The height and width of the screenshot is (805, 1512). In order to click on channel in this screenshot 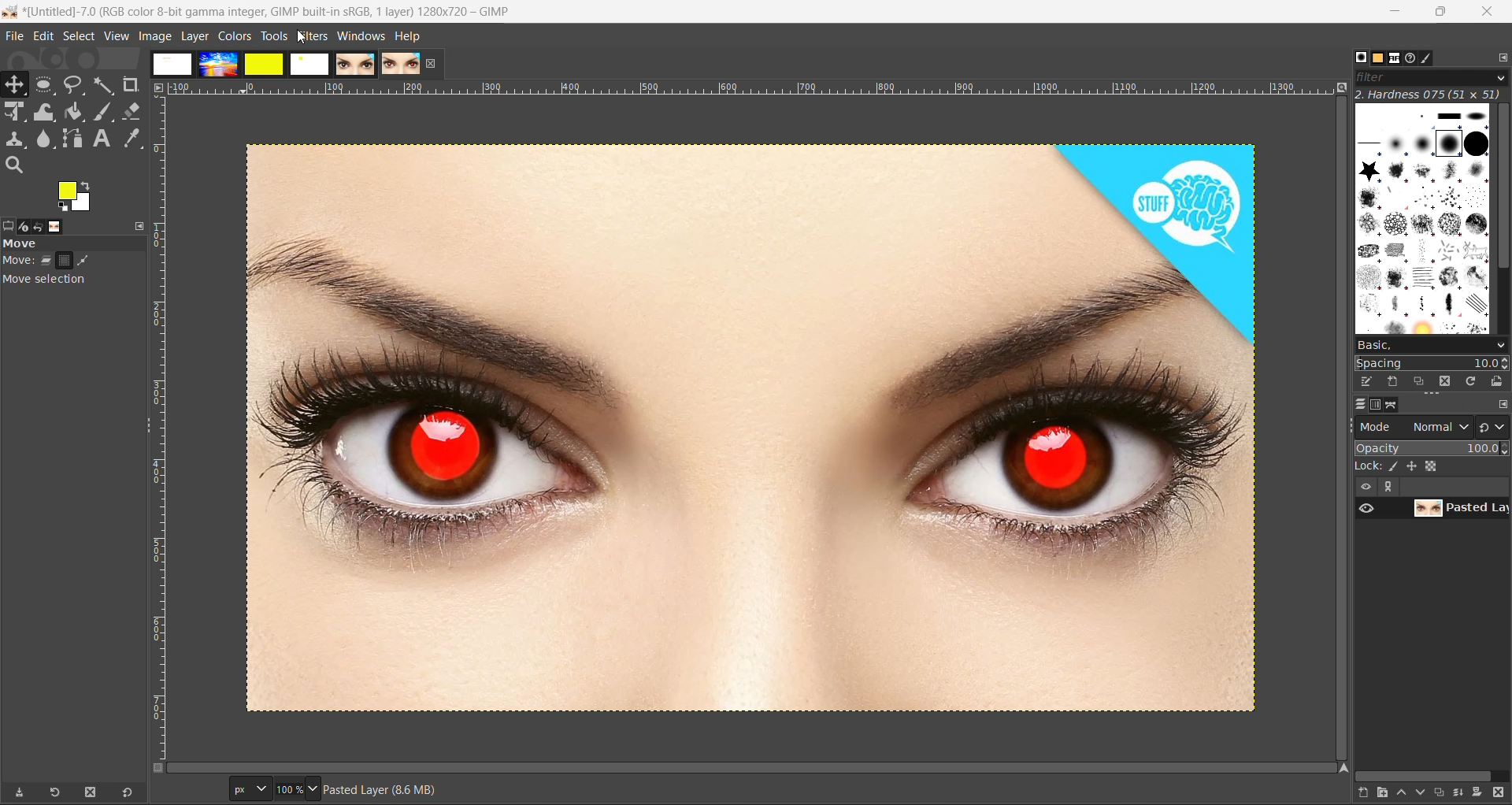, I will do `click(1376, 405)`.